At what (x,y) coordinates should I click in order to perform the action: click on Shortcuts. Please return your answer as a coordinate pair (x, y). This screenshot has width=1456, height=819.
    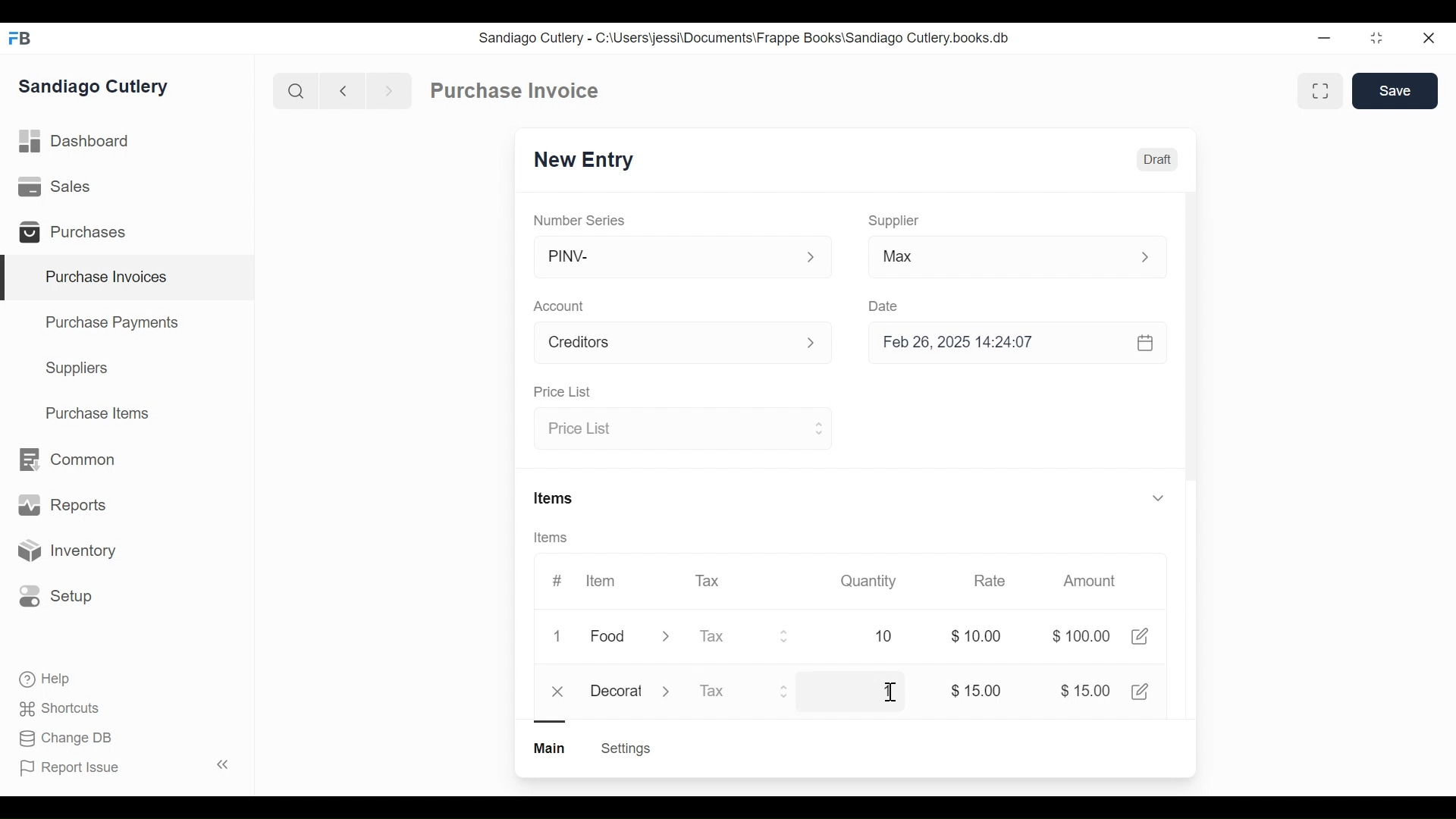
    Looking at the image, I should click on (61, 708).